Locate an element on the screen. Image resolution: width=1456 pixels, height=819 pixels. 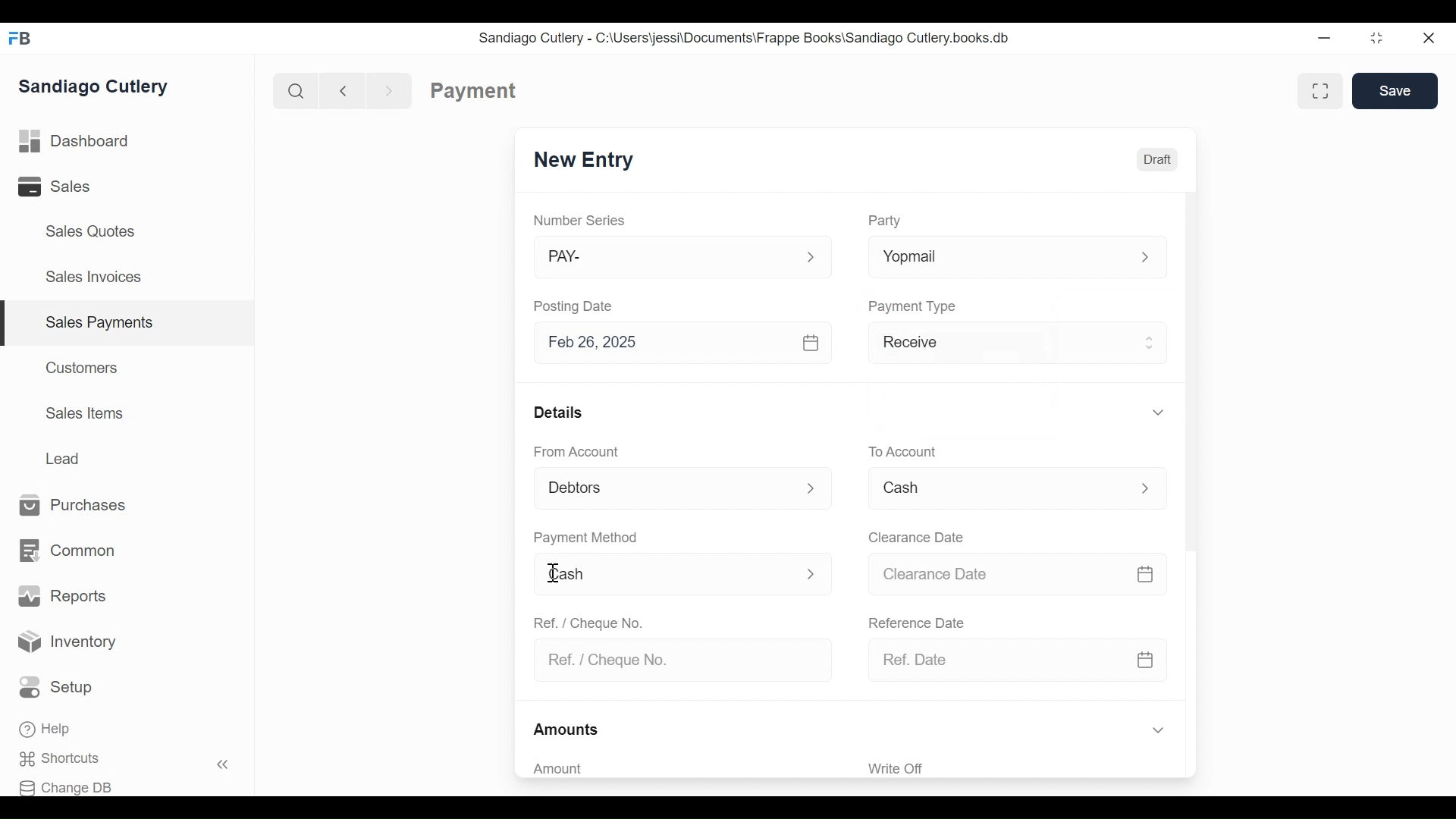
Amount is located at coordinates (675, 769).